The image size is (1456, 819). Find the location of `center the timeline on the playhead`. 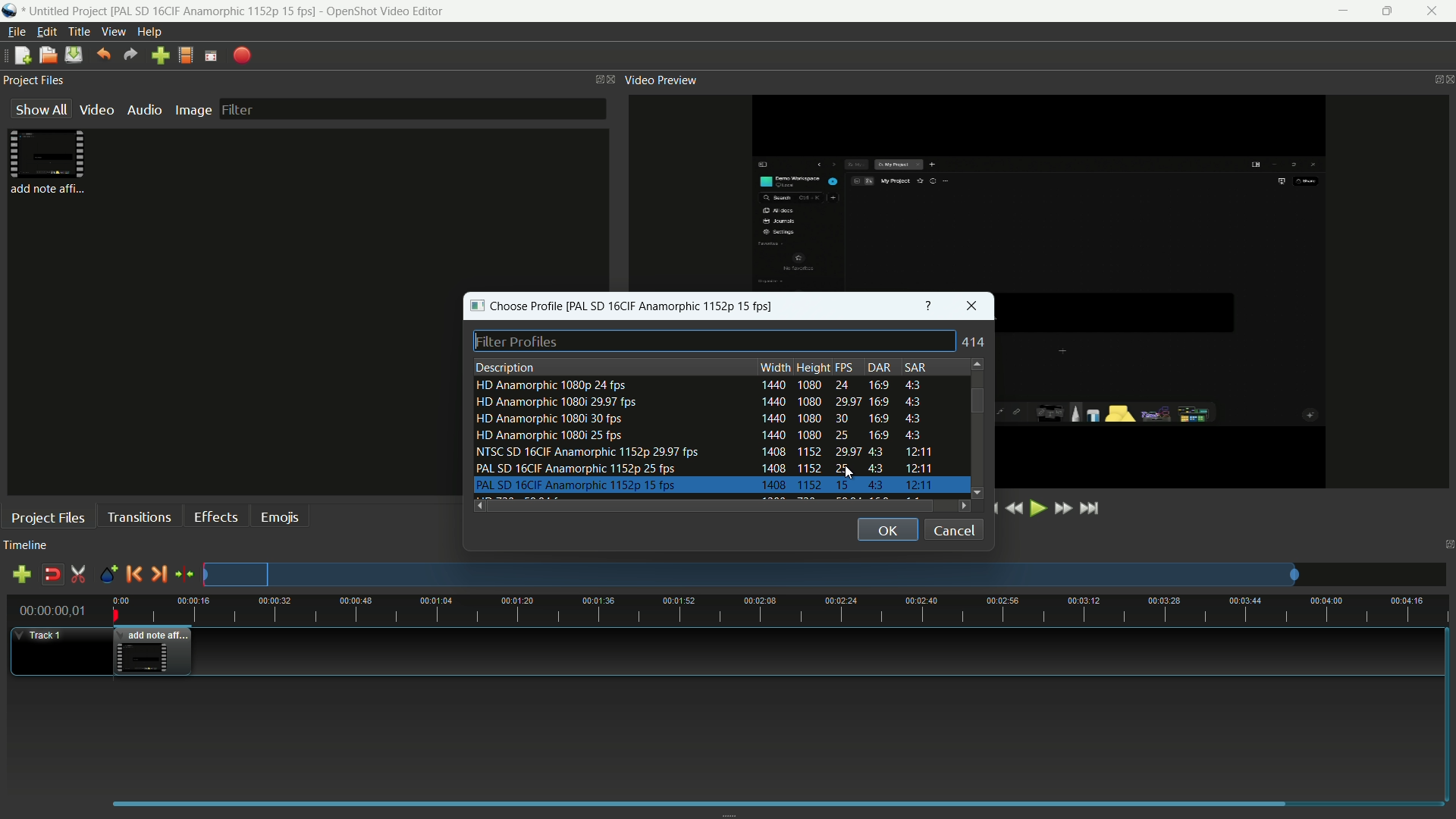

center the timeline on the playhead is located at coordinates (184, 575).